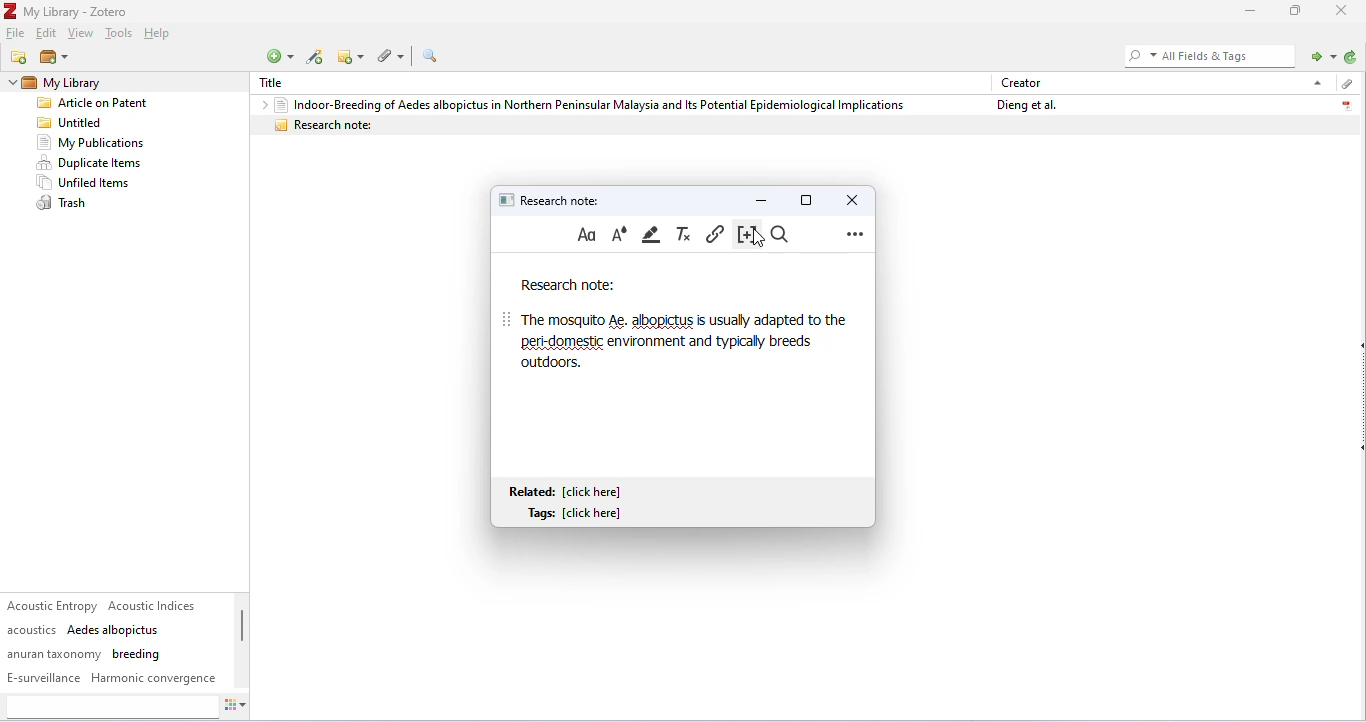 The height and width of the screenshot is (722, 1366). What do you see at coordinates (579, 514) in the screenshot?
I see `tags` at bounding box center [579, 514].